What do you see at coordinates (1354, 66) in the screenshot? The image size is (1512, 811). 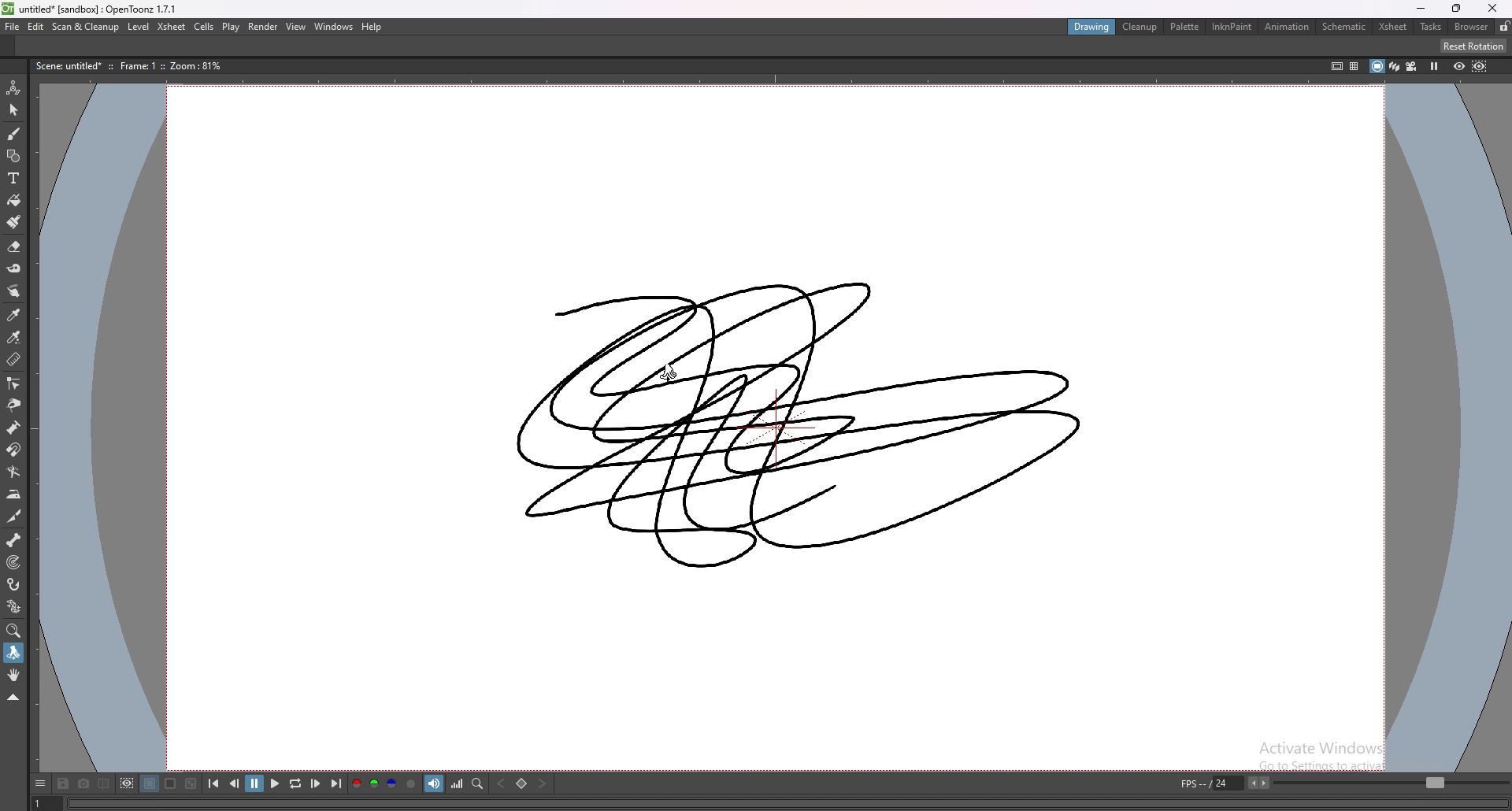 I see `field guide` at bounding box center [1354, 66].